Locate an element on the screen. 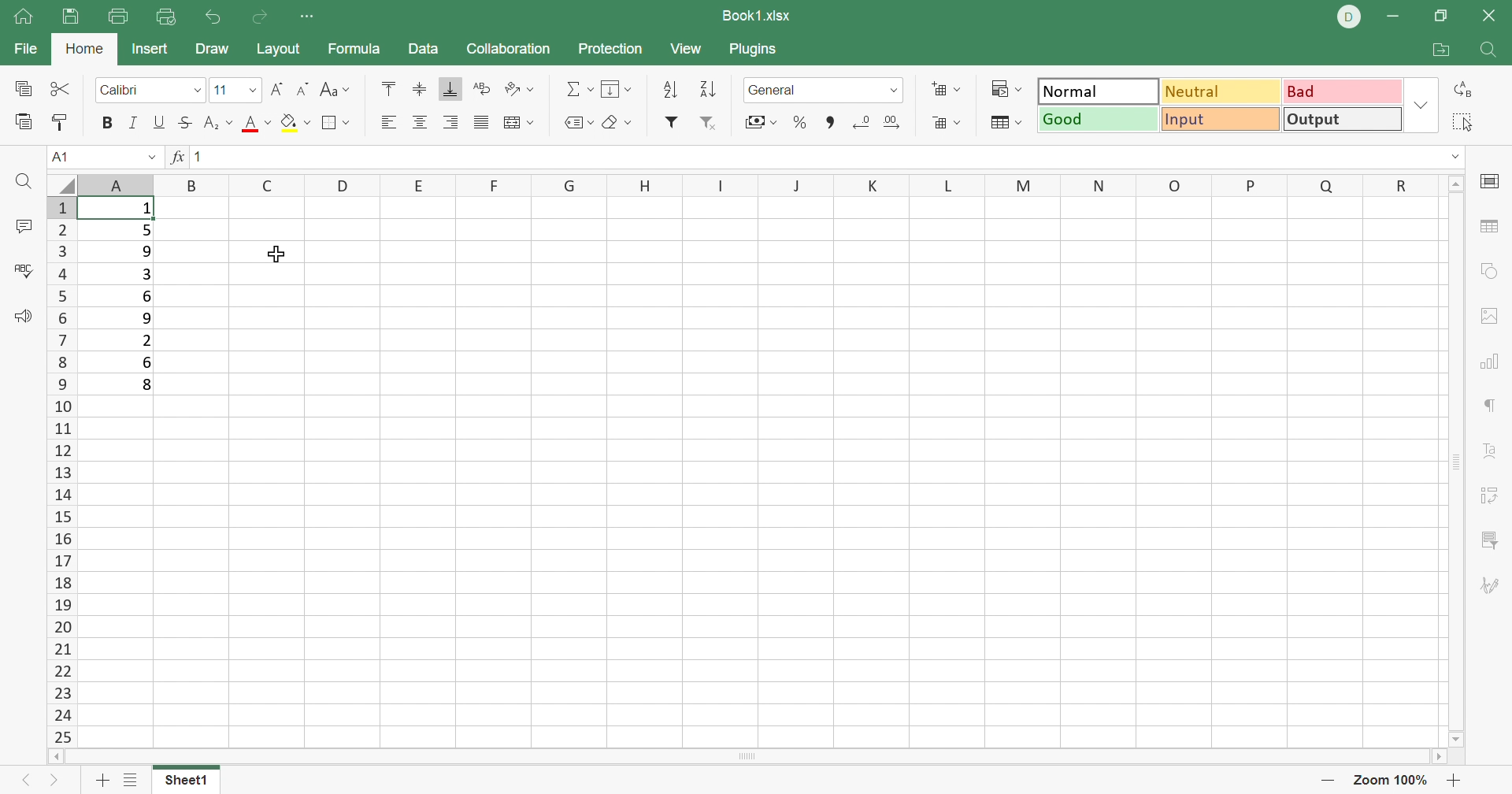 The width and height of the screenshot is (1512, 794). Neutral is located at coordinates (1221, 92).